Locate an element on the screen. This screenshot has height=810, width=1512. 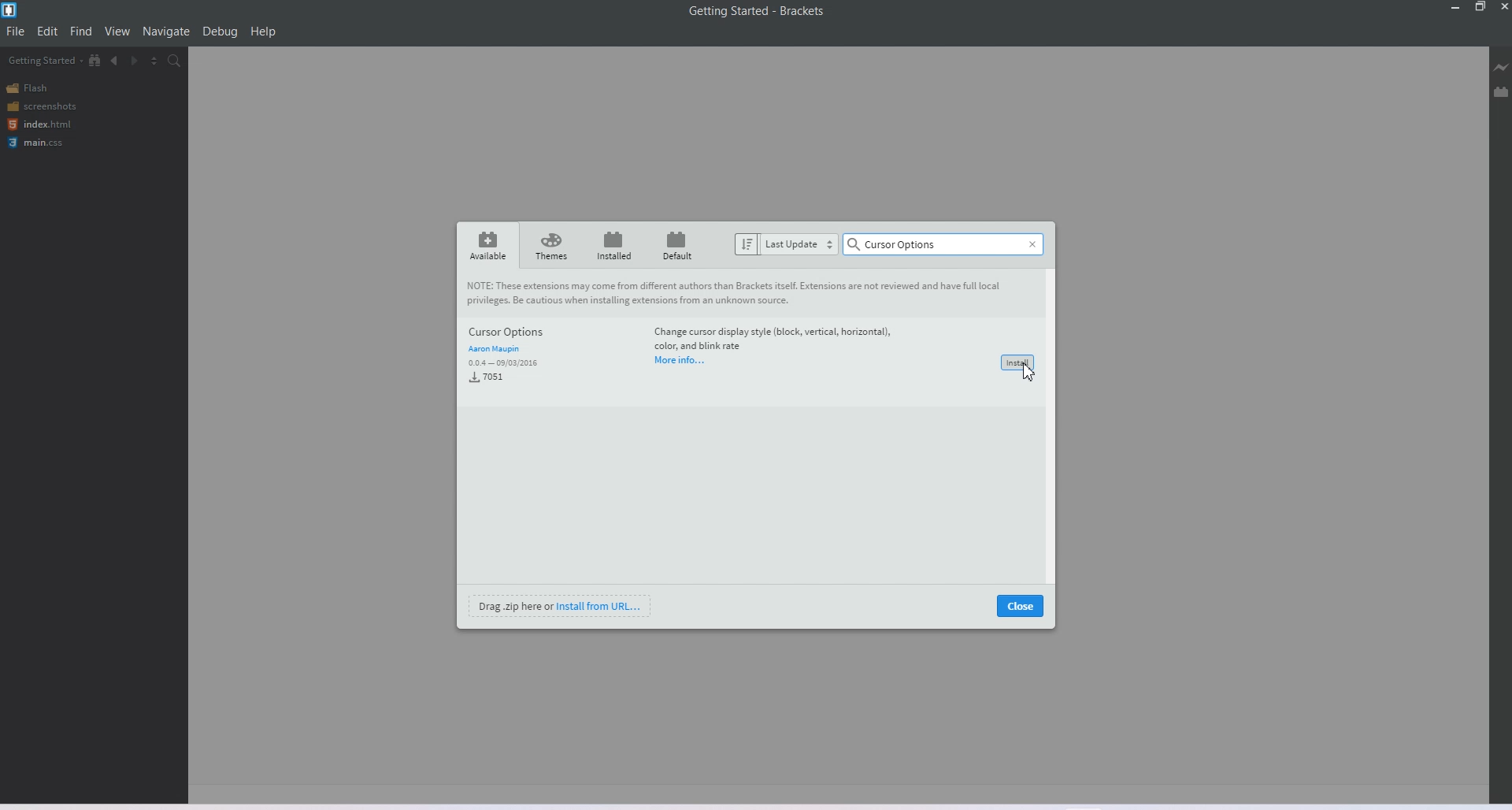
Navigate Backwards is located at coordinates (115, 61).